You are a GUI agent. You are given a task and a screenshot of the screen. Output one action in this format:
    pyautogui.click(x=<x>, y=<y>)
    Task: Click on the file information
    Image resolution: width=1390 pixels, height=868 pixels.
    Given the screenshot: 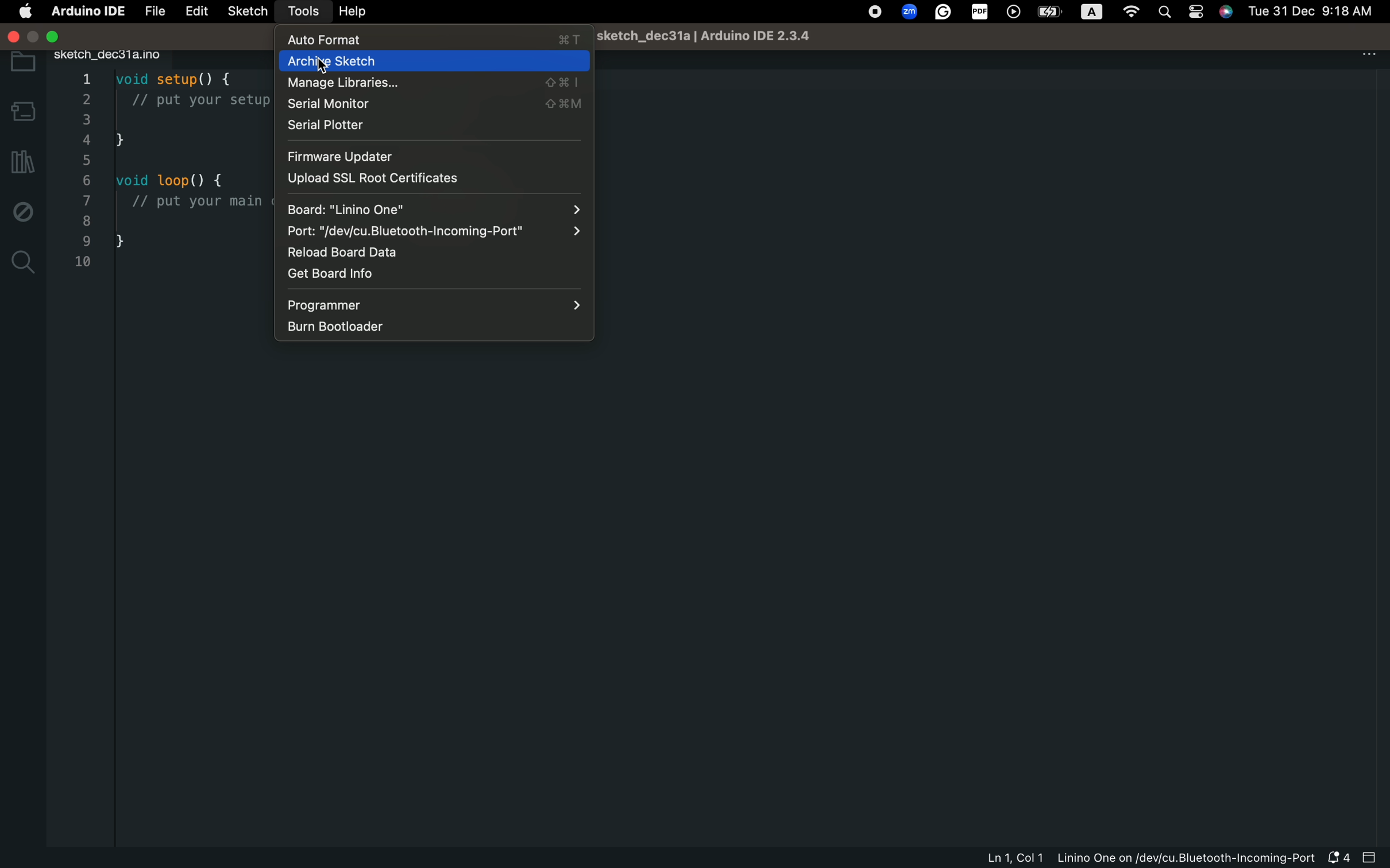 What is the action you would take?
    pyautogui.click(x=1147, y=859)
    